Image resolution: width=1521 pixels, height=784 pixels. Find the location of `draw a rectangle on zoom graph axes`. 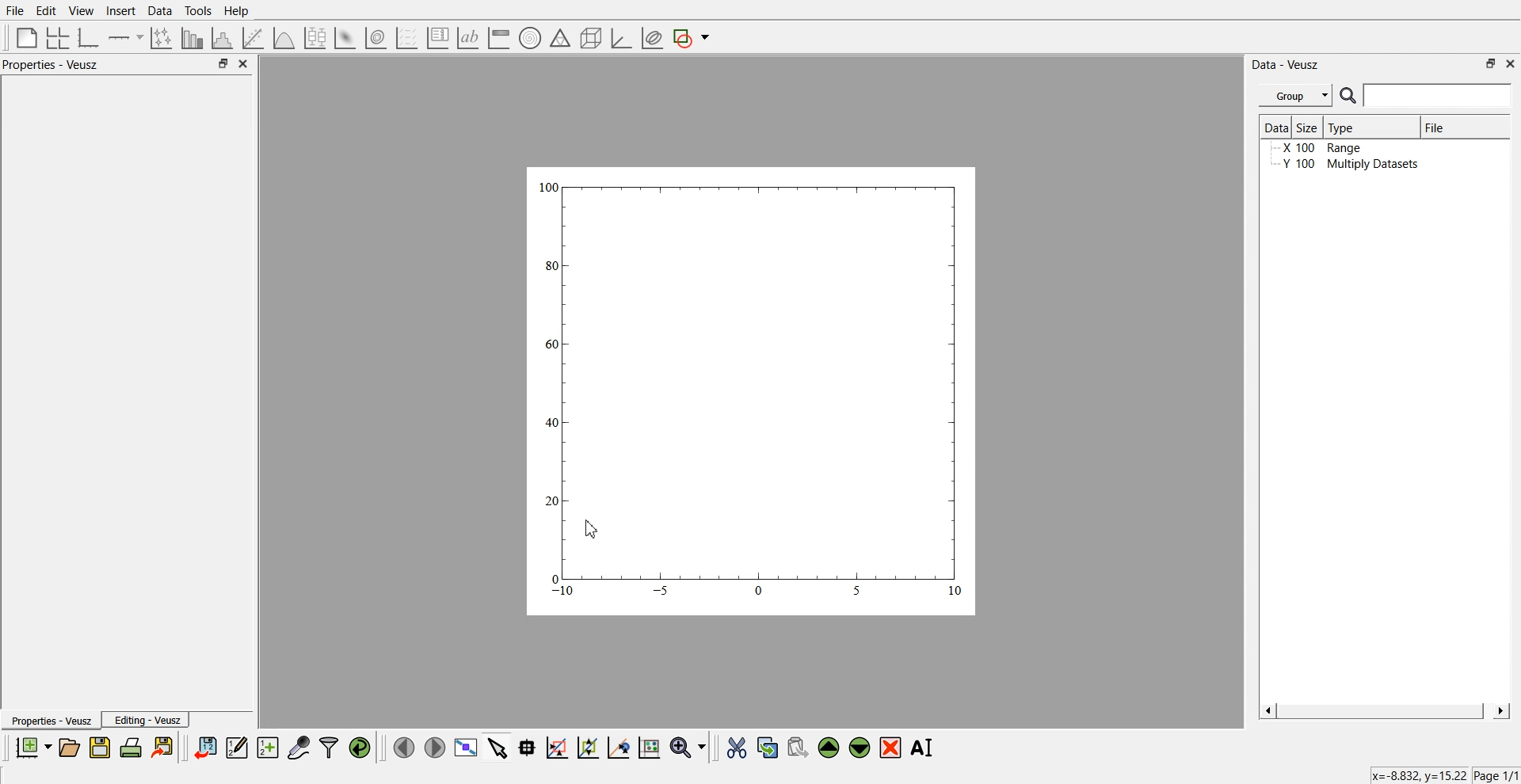

draw a rectangle on zoom graph axes is located at coordinates (556, 746).